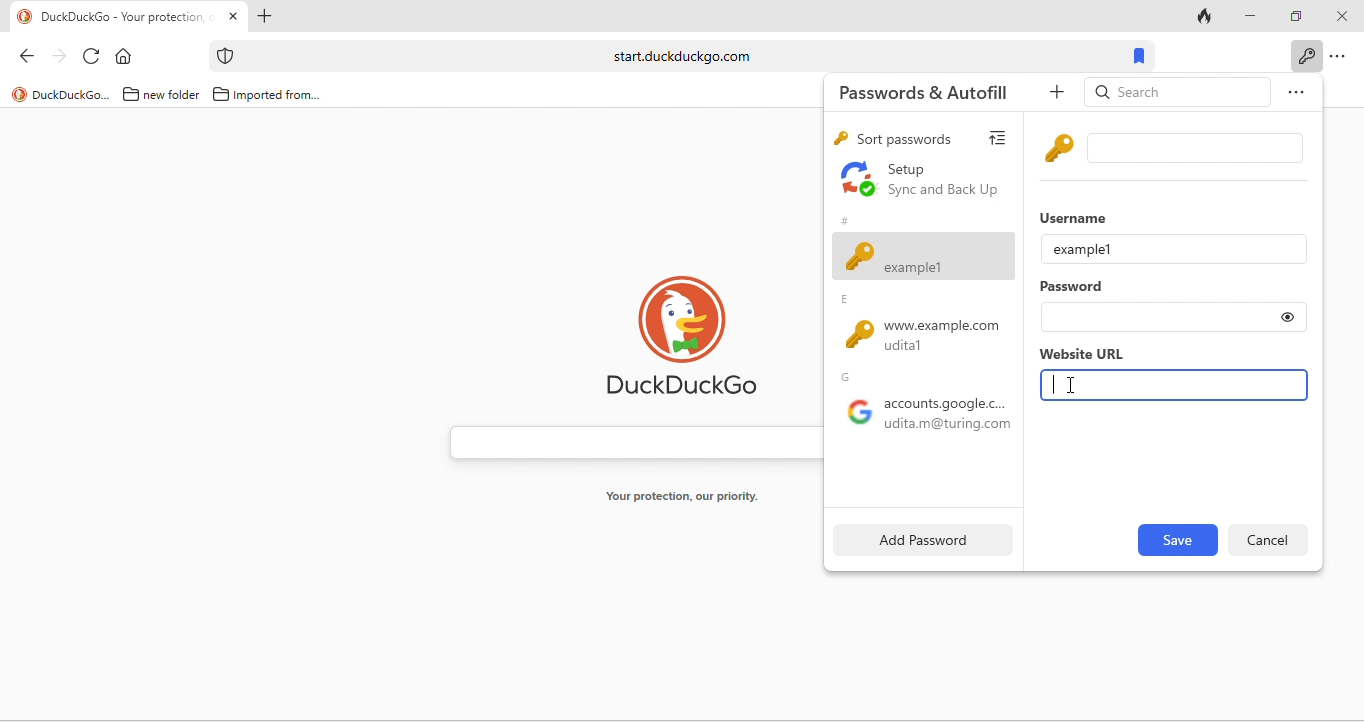 Image resolution: width=1364 pixels, height=722 pixels. What do you see at coordinates (1176, 540) in the screenshot?
I see `edit` at bounding box center [1176, 540].